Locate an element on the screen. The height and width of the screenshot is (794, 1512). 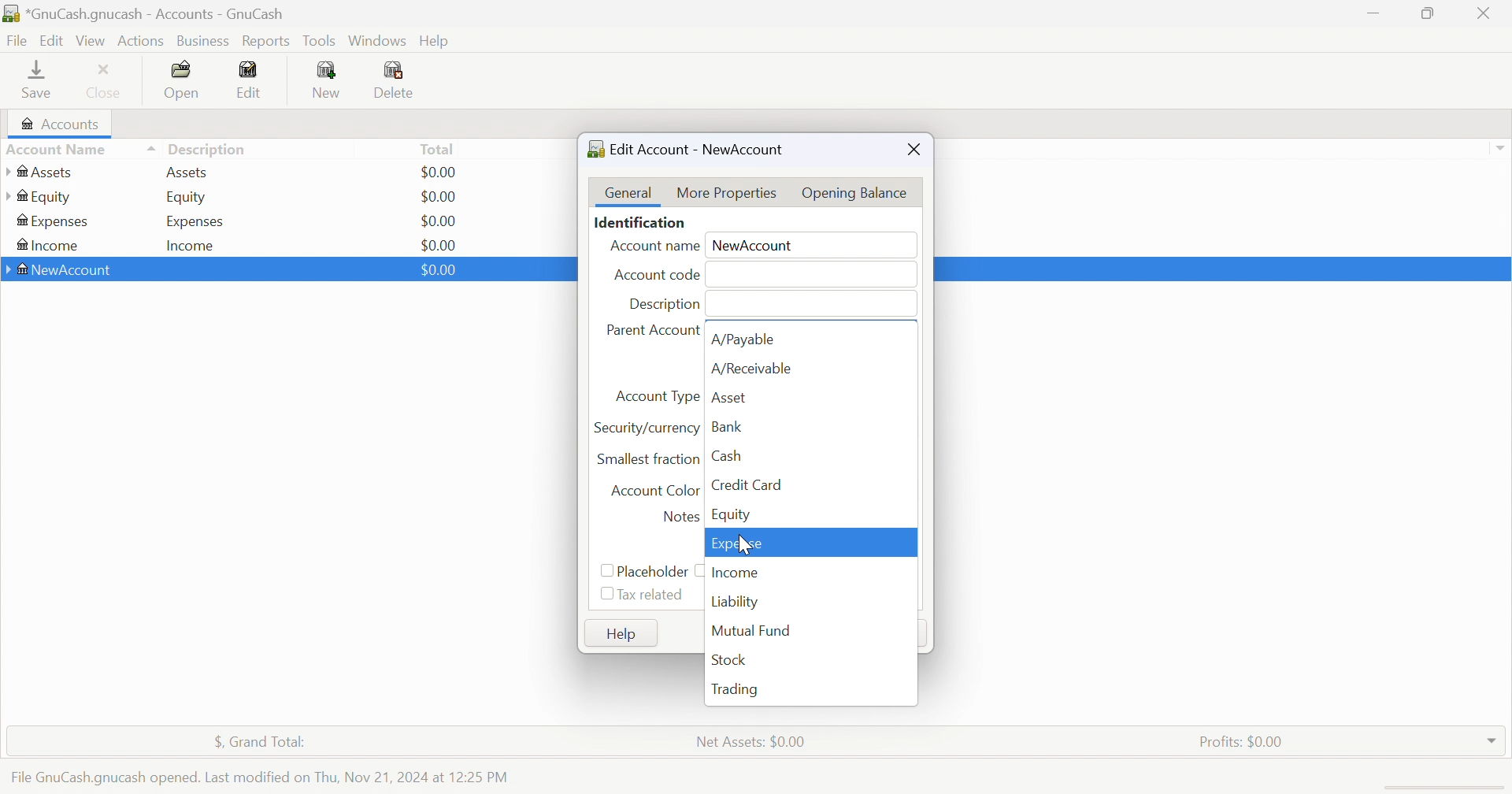
cursor is located at coordinates (744, 544).